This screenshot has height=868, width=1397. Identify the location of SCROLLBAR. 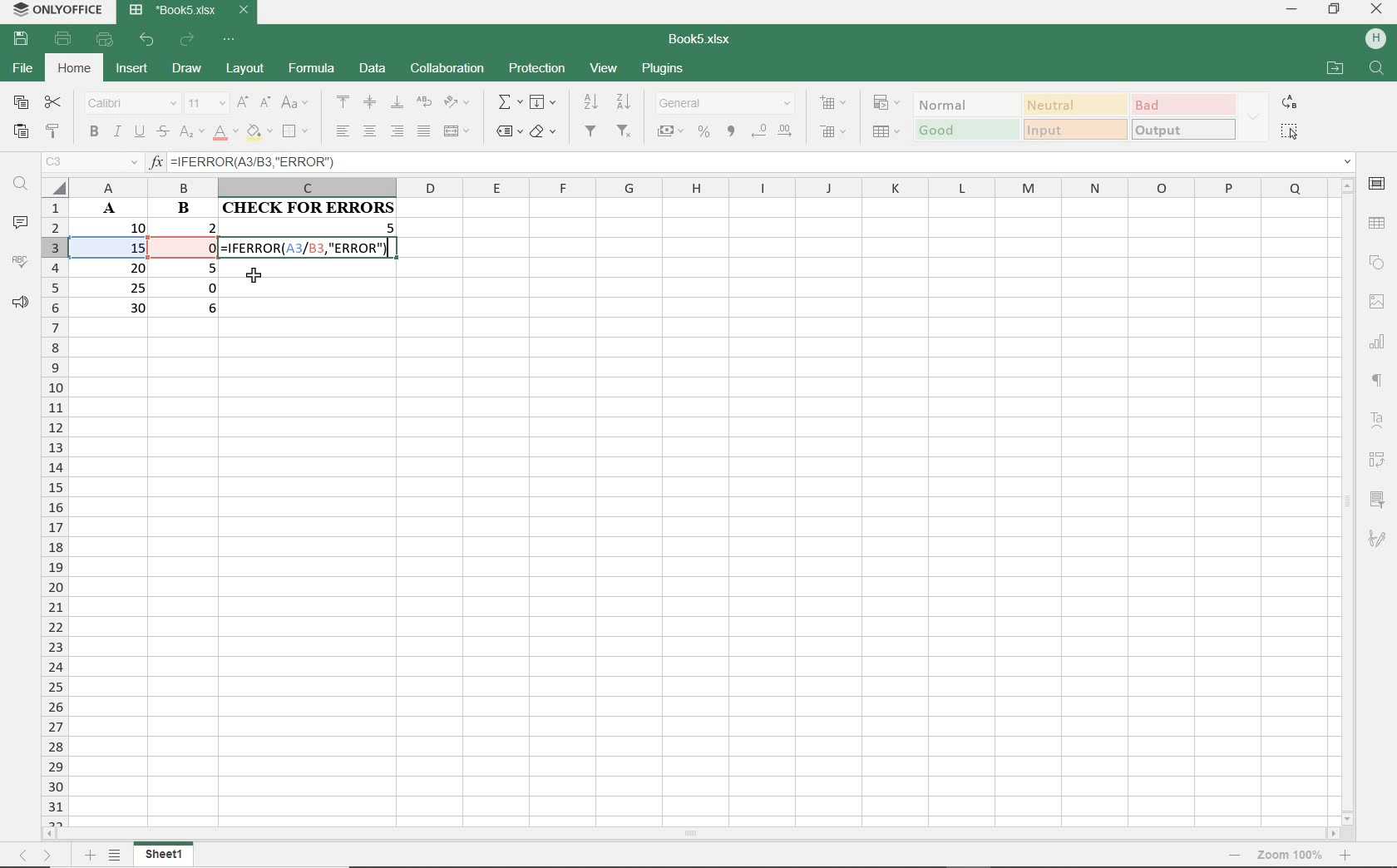
(1350, 501).